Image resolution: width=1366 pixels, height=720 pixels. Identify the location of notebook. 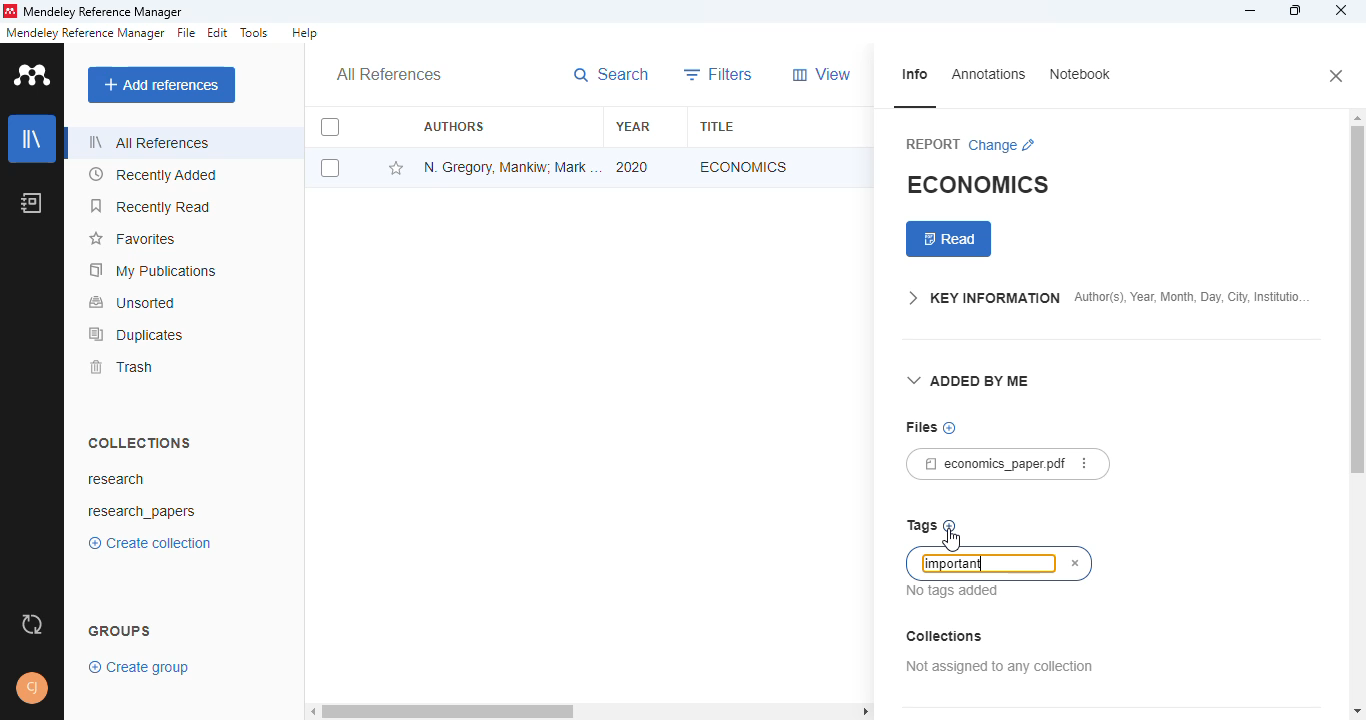
(32, 203).